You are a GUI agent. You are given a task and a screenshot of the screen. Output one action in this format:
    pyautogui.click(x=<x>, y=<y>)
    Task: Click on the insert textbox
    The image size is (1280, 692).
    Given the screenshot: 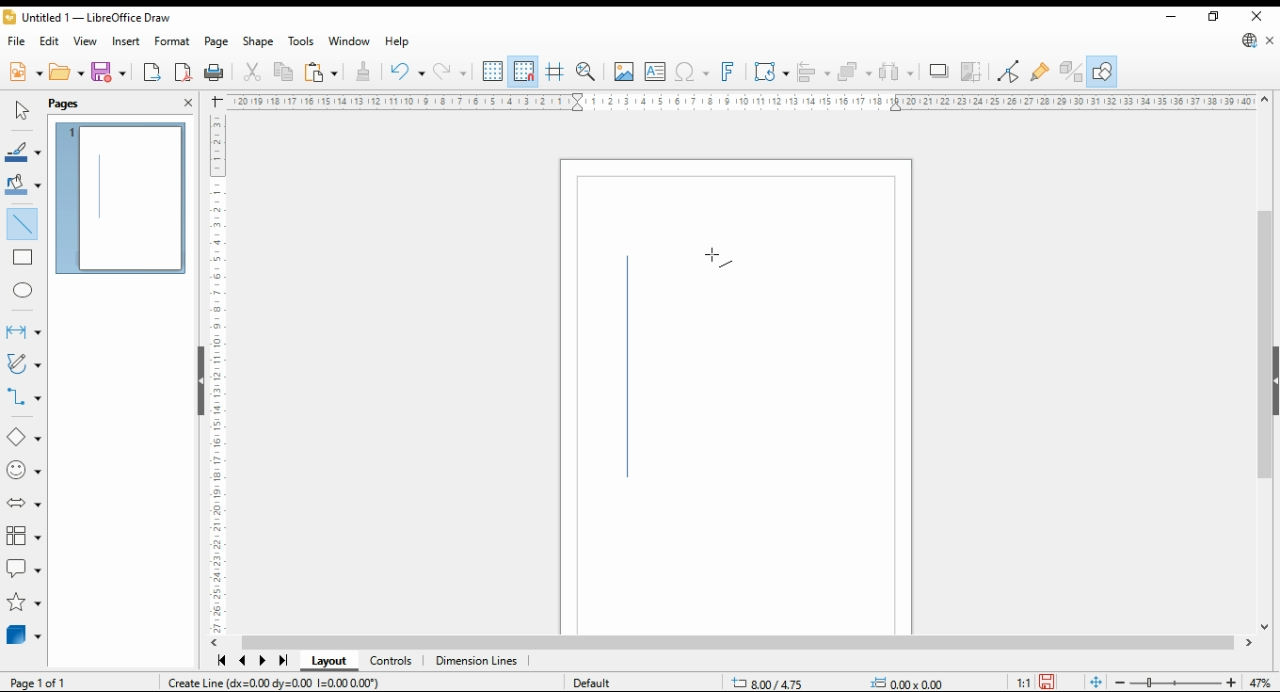 What is the action you would take?
    pyautogui.click(x=655, y=73)
    